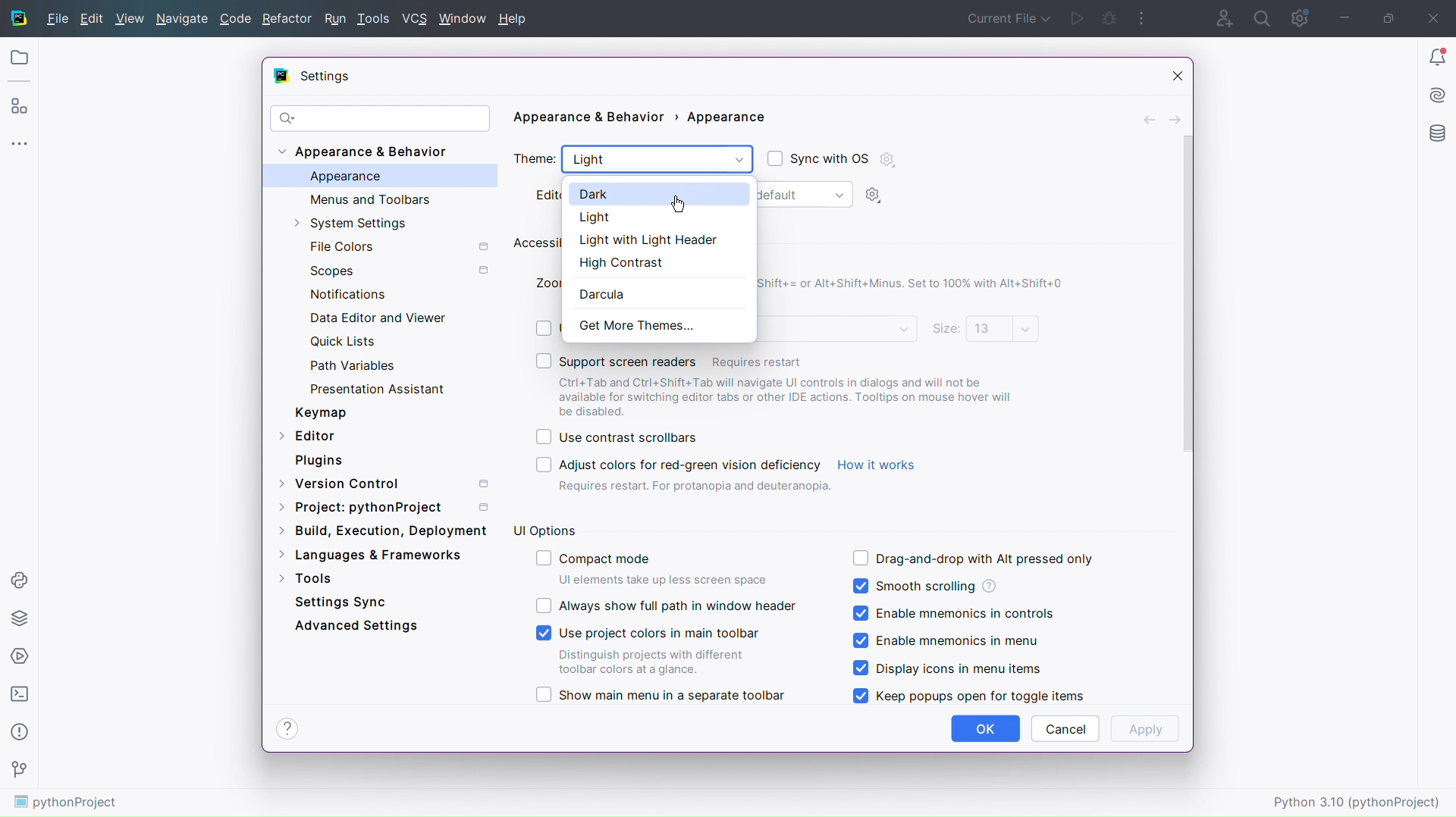 This screenshot has width=1456, height=817. What do you see at coordinates (320, 412) in the screenshot?
I see `Keymap` at bounding box center [320, 412].